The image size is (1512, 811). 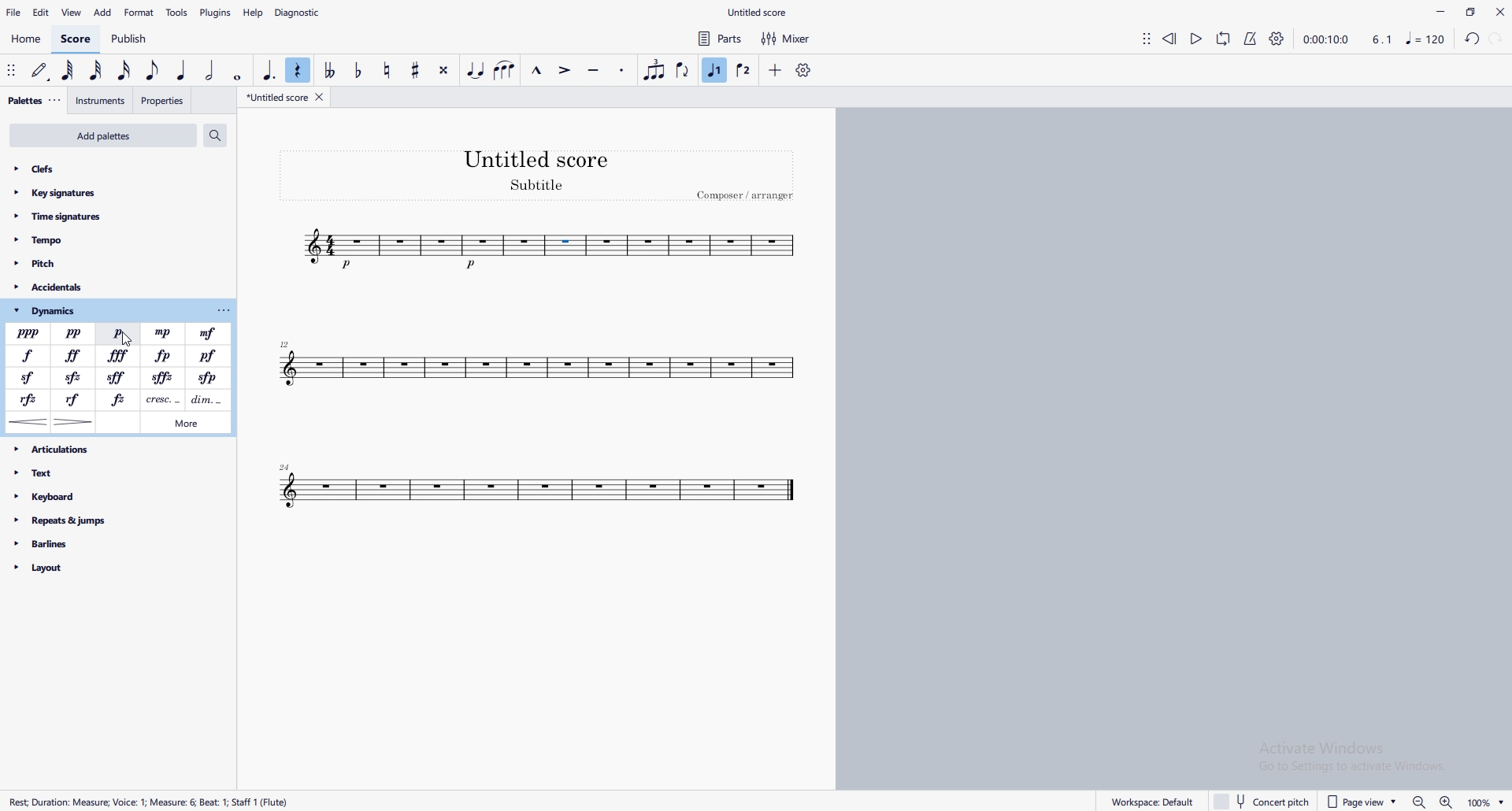 What do you see at coordinates (118, 333) in the screenshot?
I see `piano` at bounding box center [118, 333].